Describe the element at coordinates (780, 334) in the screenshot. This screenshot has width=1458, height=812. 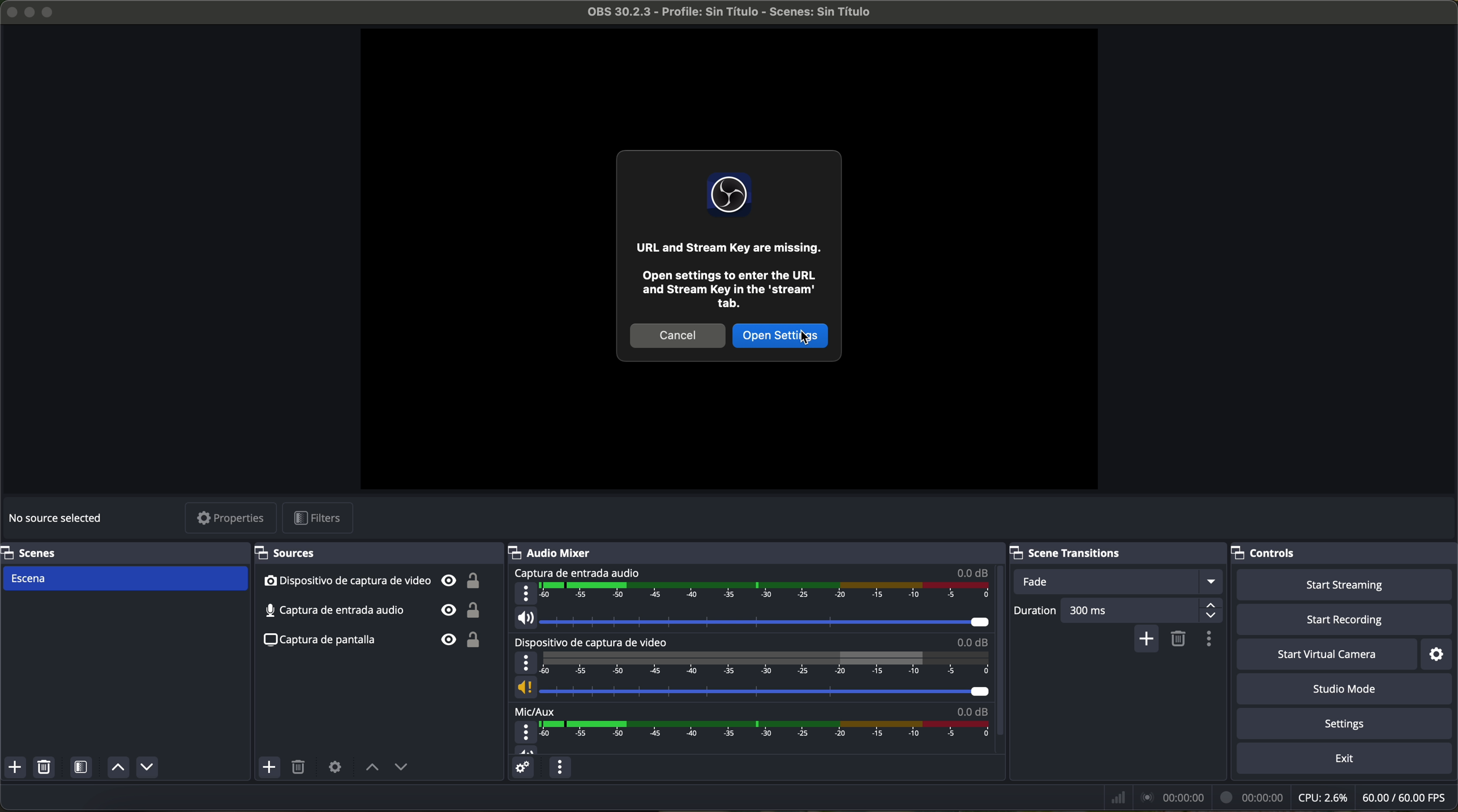
I see `click on open settings` at that location.